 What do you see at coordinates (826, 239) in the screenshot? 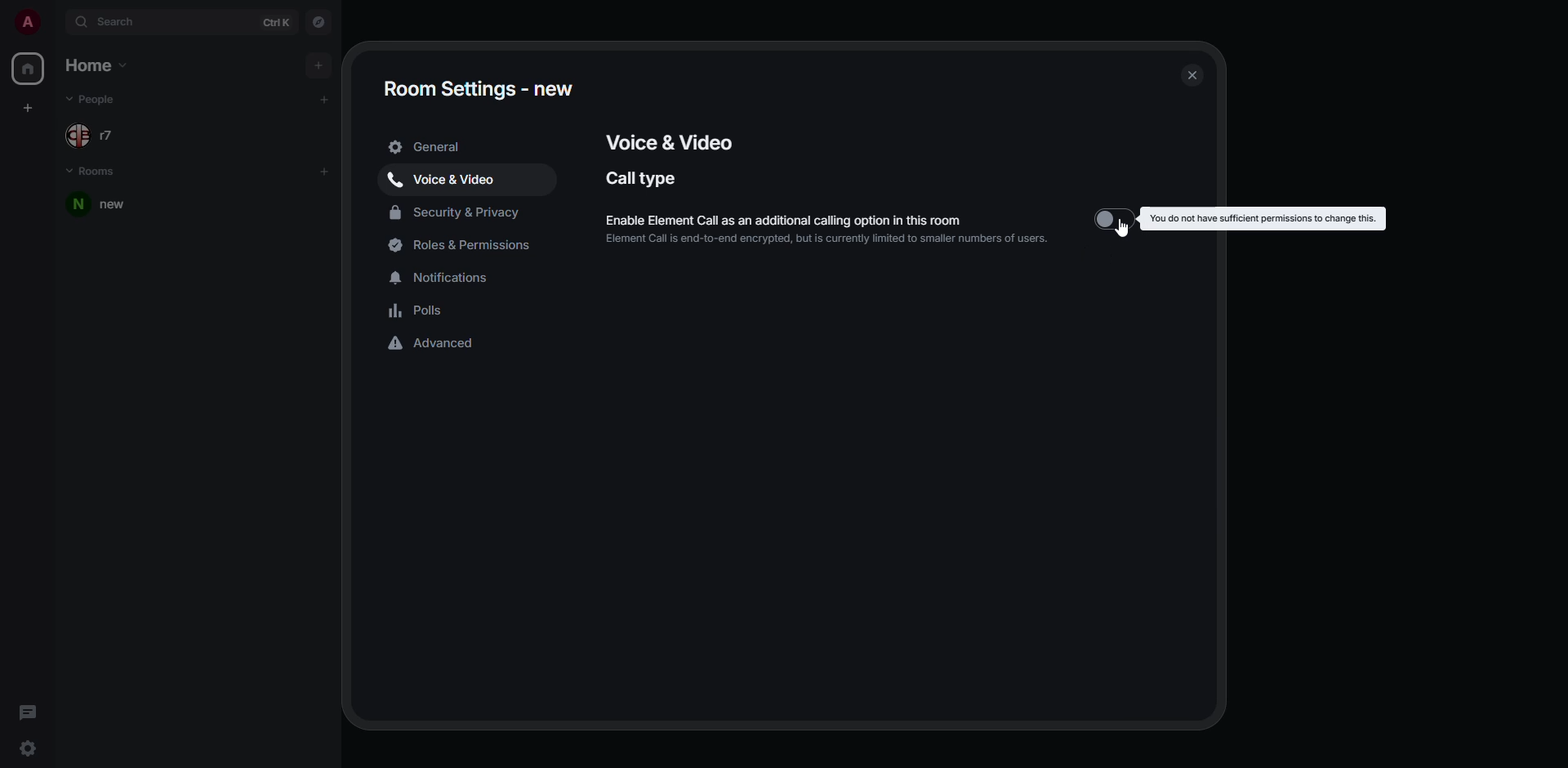
I see `Element Call is end-to-end encrypted, but is currently limited to smaller numbers of users.` at bounding box center [826, 239].